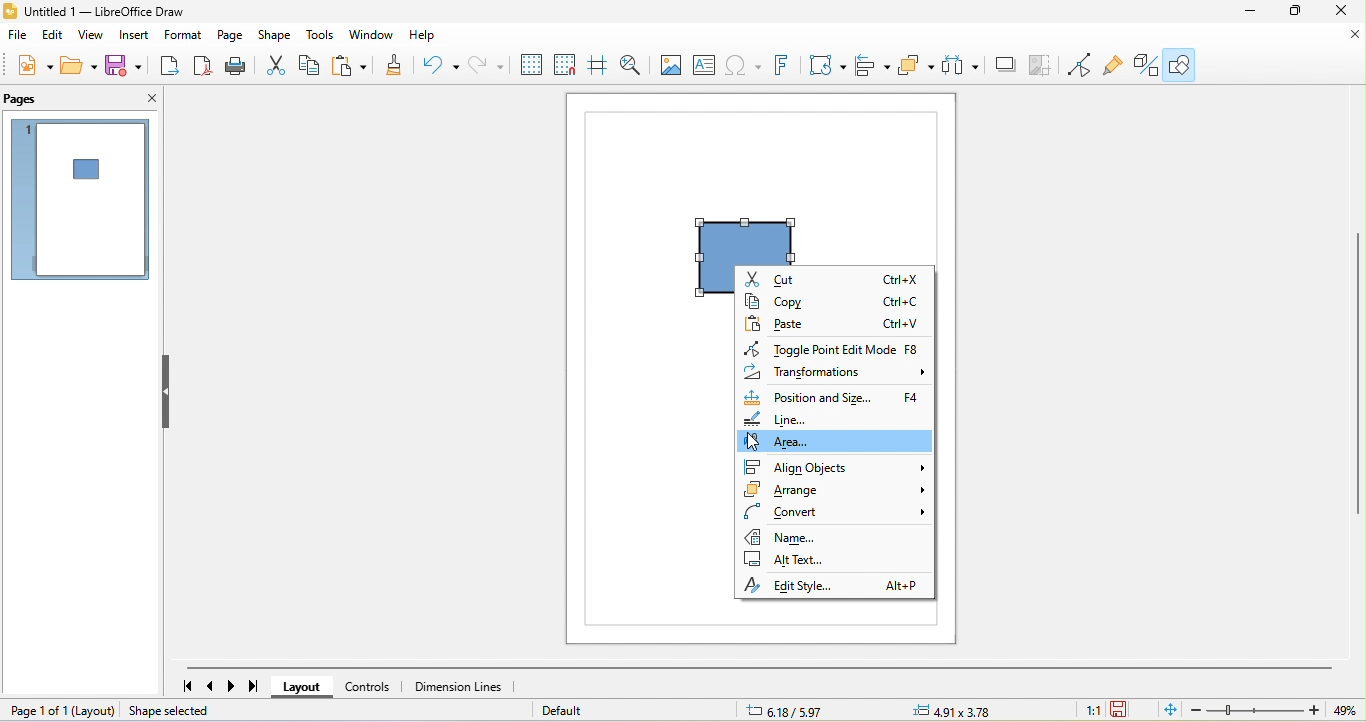 The width and height of the screenshot is (1366, 722). Describe the element at coordinates (917, 67) in the screenshot. I see `arrange` at that location.